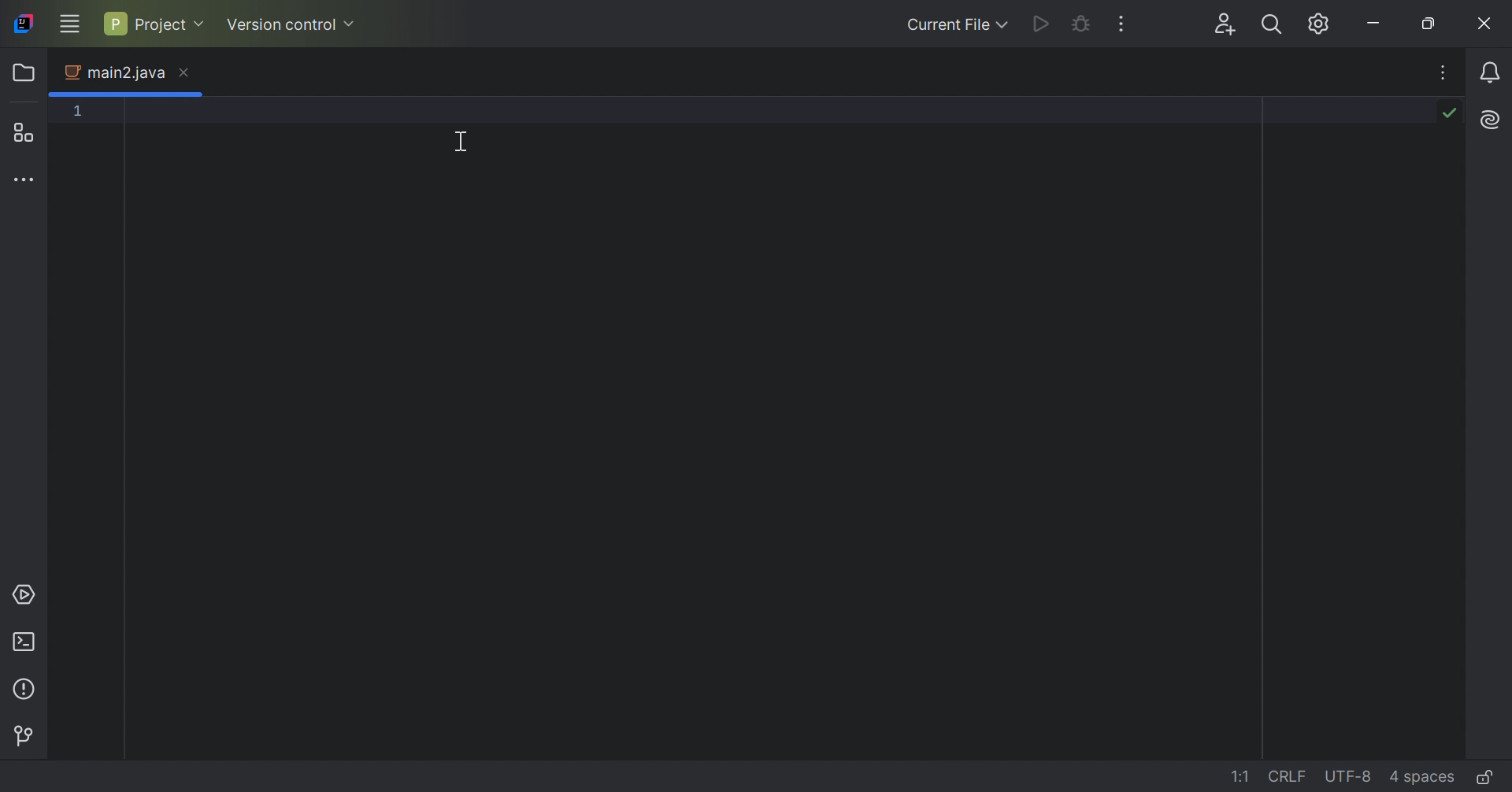 This screenshot has width=1512, height=792. I want to click on 1, so click(83, 111).